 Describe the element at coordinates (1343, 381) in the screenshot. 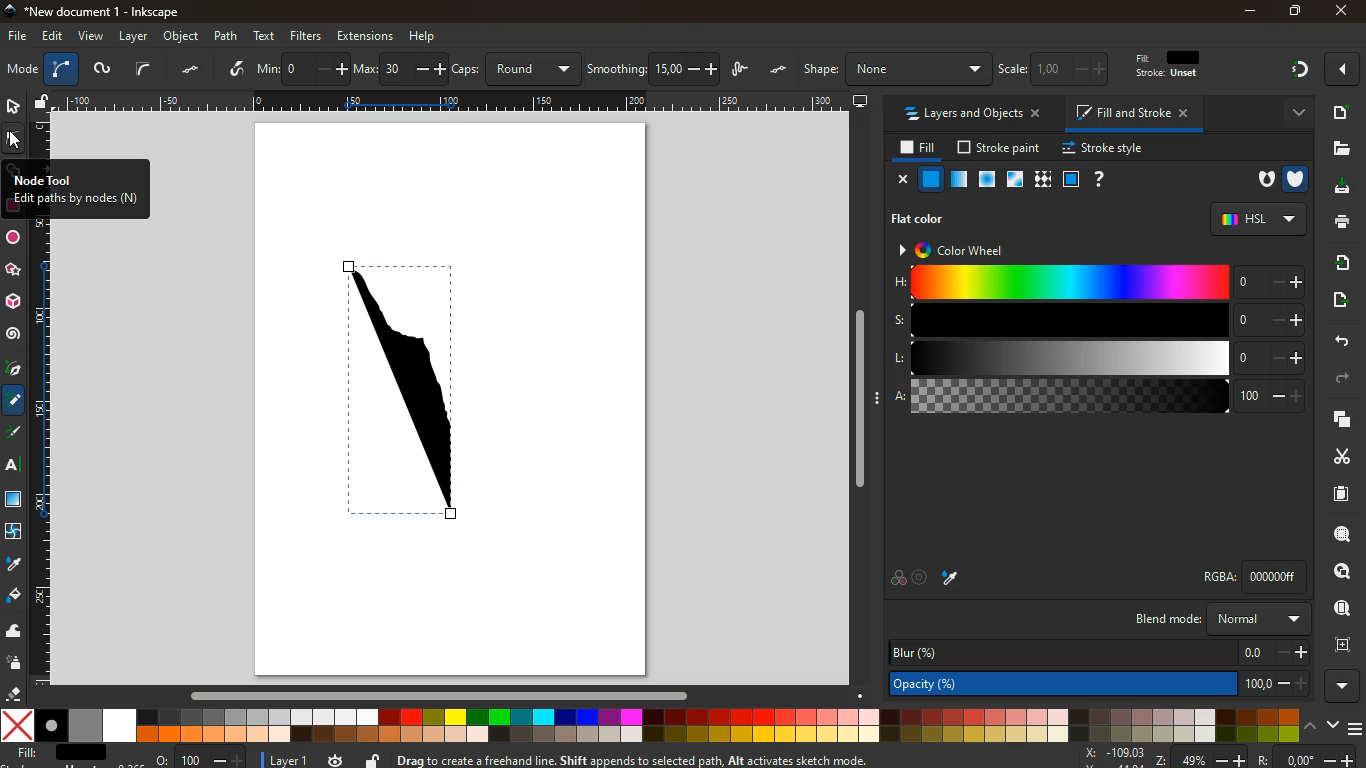

I see `forward` at that location.